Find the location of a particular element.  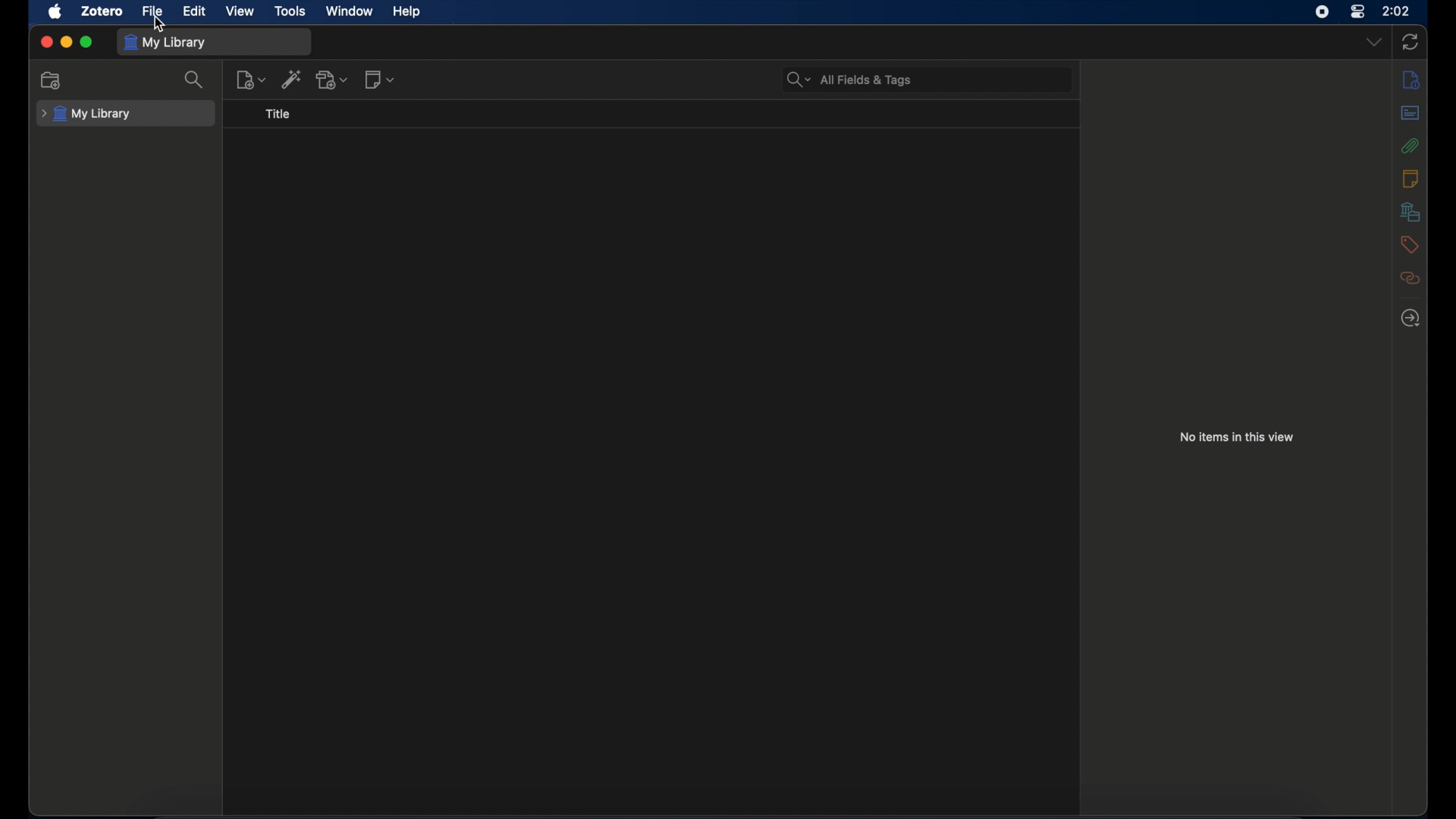

view is located at coordinates (241, 11).